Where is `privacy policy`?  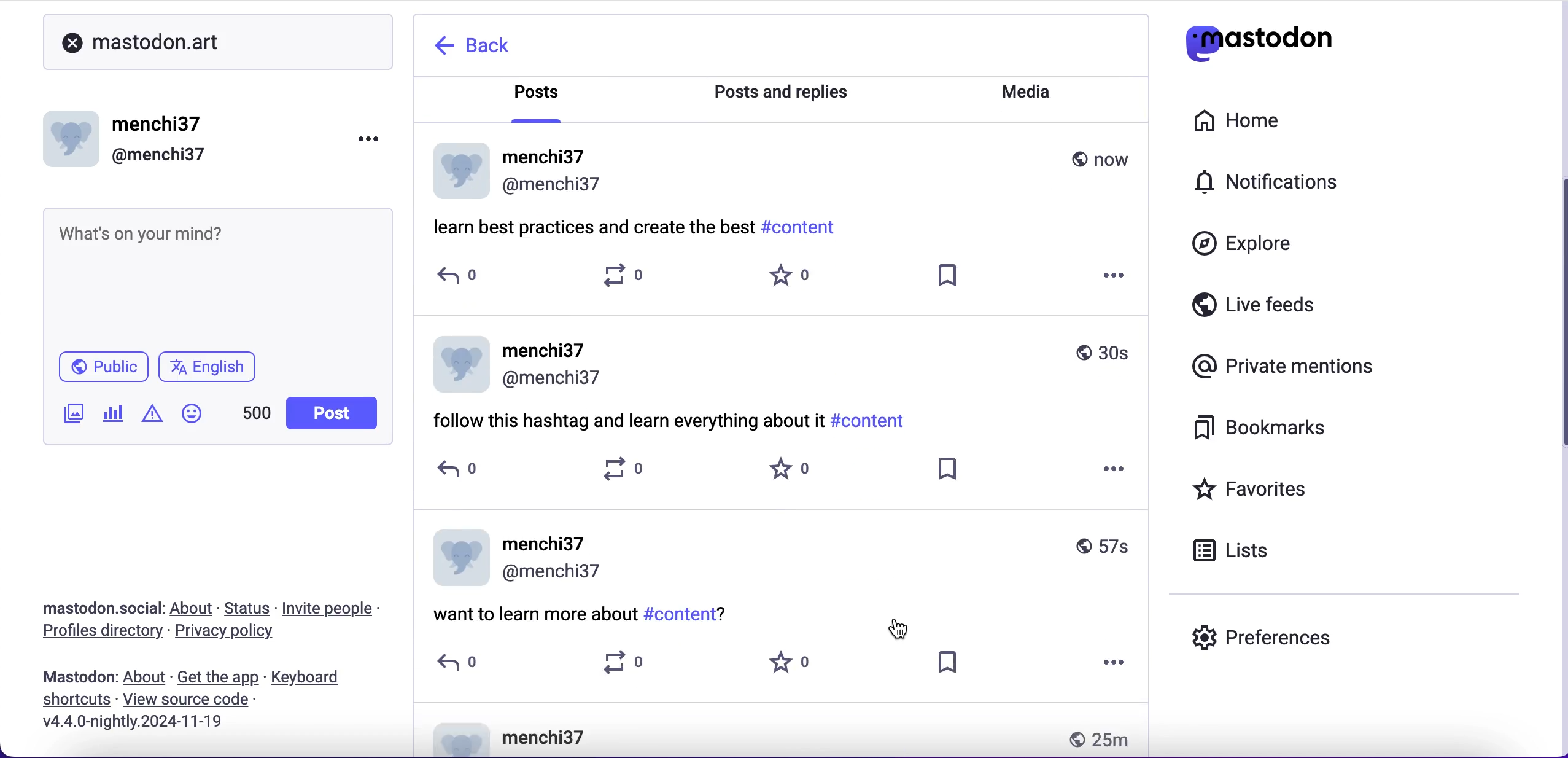
privacy policy is located at coordinates (230, 634).